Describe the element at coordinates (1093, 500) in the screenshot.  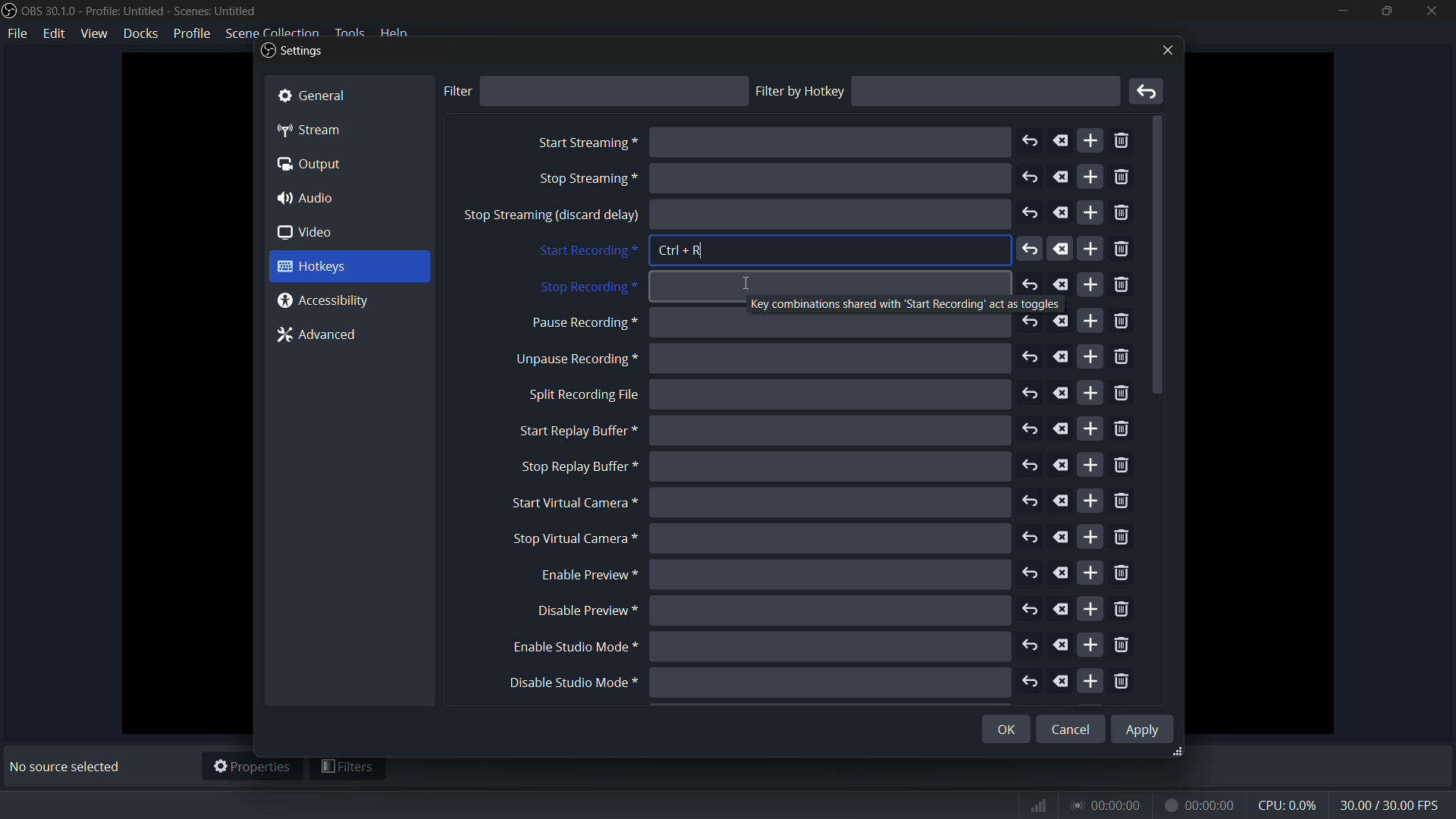
I see `add more` at that location.